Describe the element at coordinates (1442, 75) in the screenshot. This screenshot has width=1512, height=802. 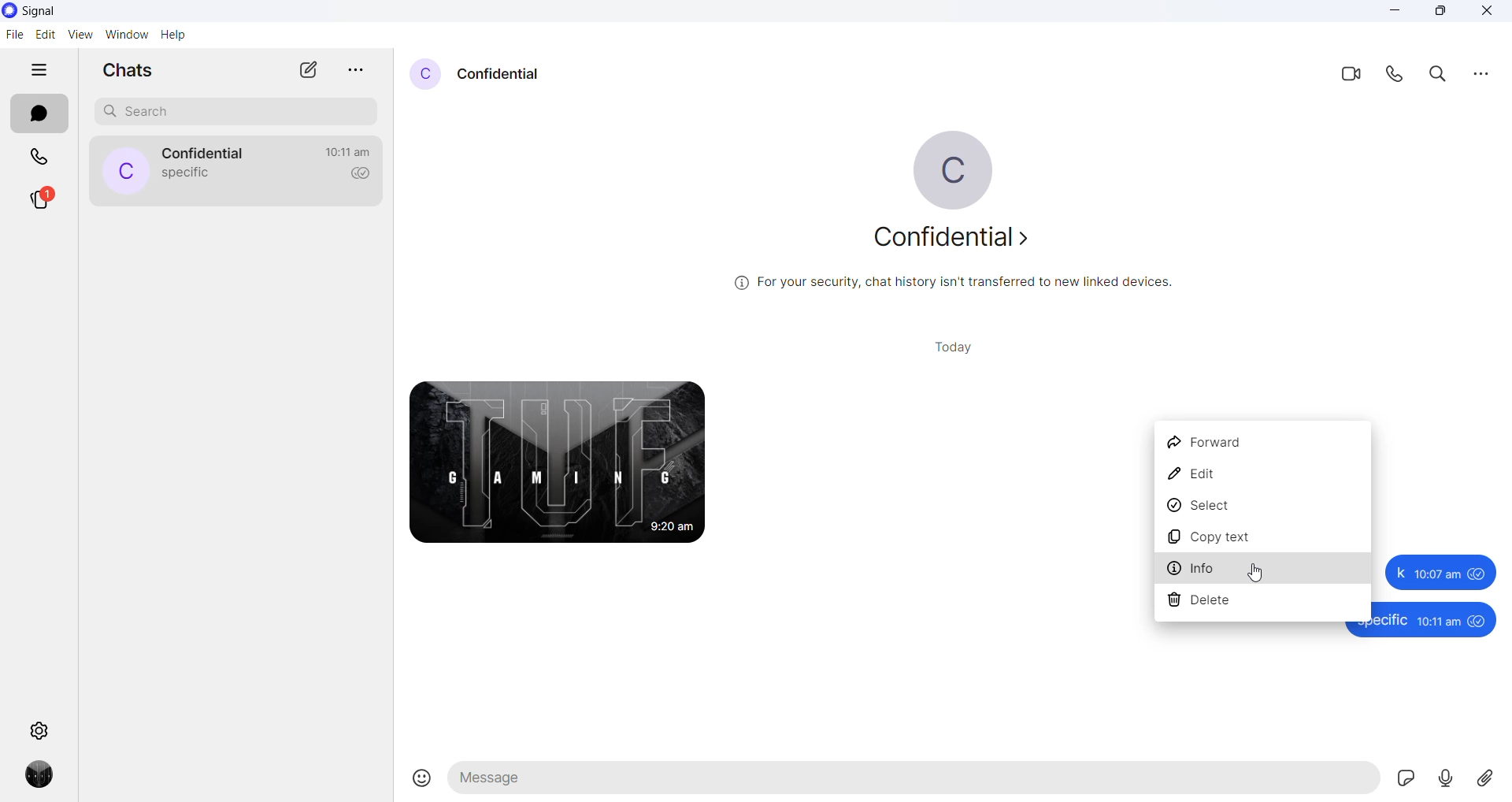
I see `search in chats` at that location.